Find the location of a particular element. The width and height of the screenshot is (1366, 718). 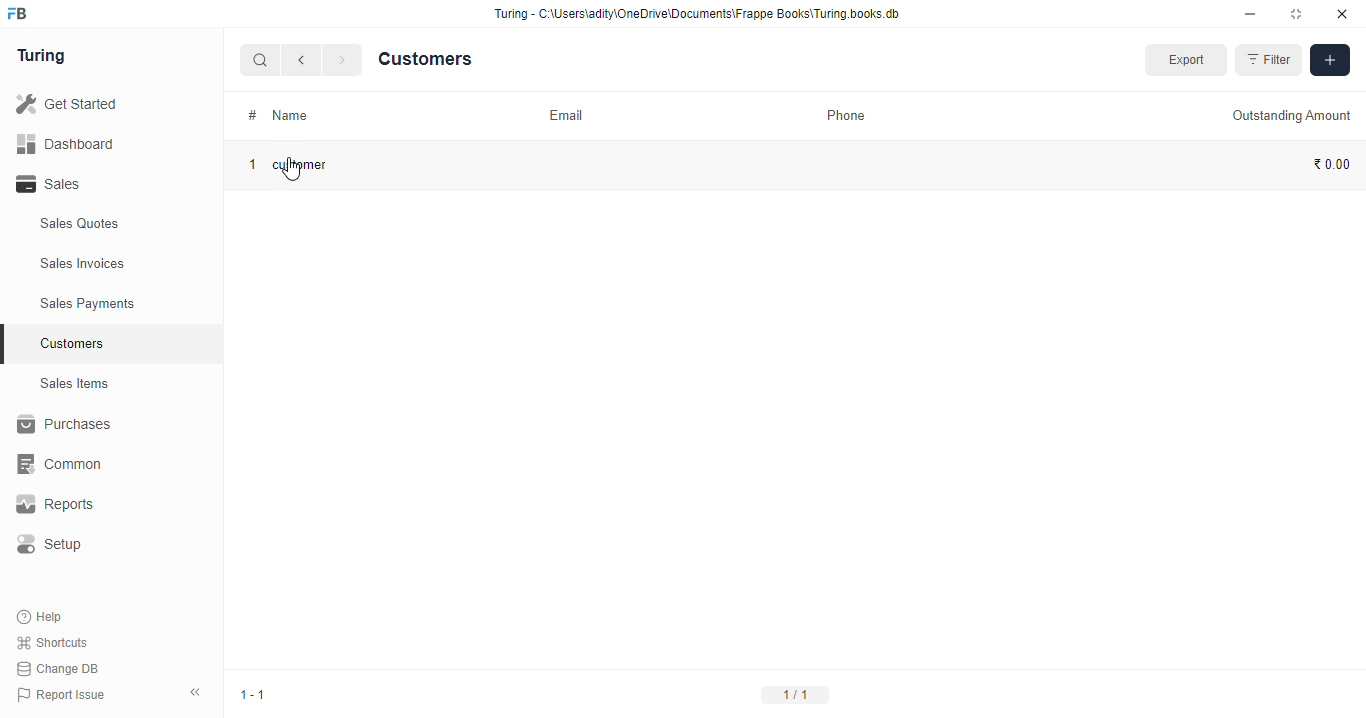

1/11 is located at coordinates (795, 695).